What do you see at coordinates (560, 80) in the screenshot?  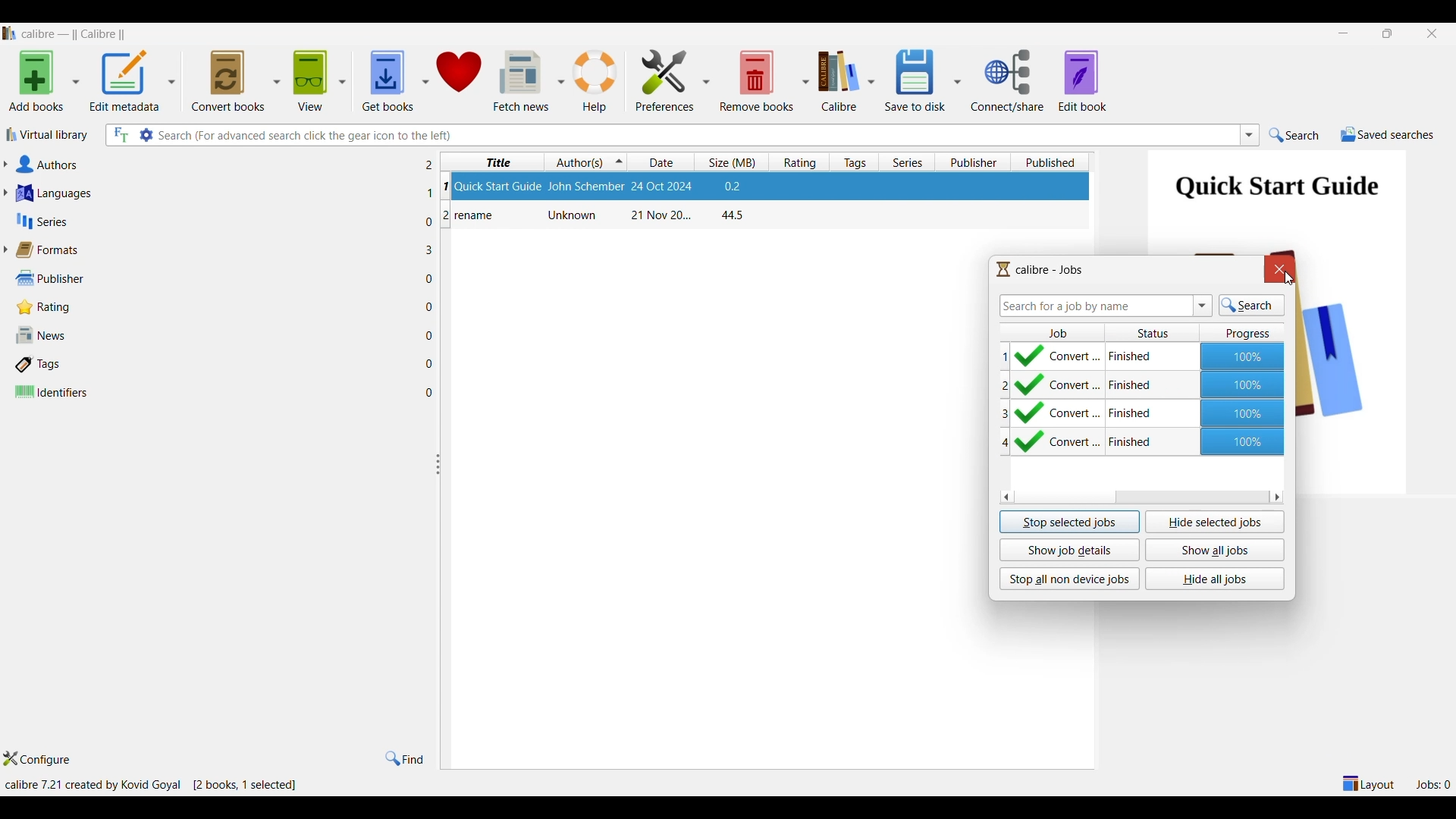 I see `Fetch news column` at bounding box center [560, 80].